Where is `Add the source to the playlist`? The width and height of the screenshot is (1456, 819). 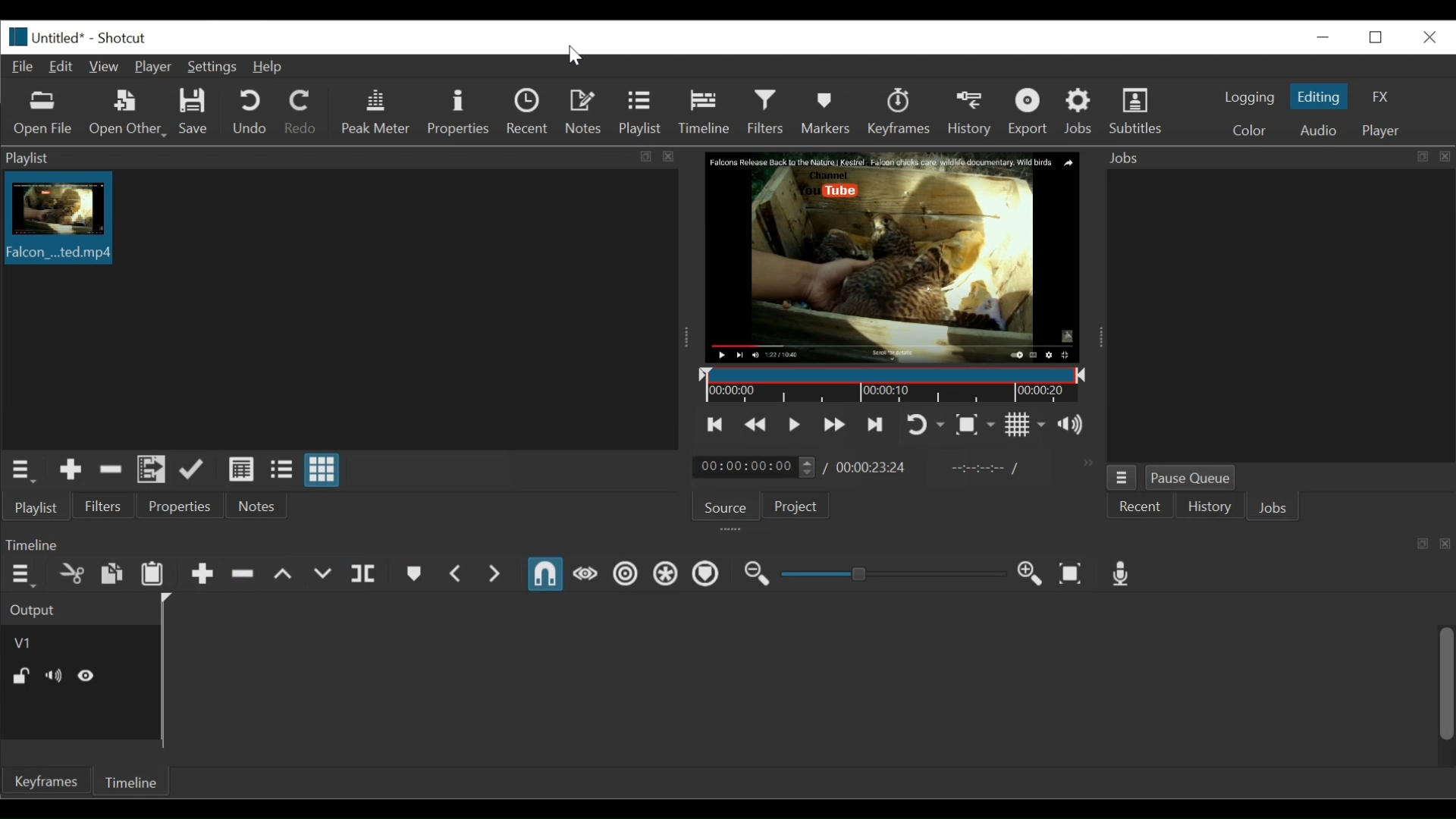 Add the source to the playlist is located at coordinates (70, 472).